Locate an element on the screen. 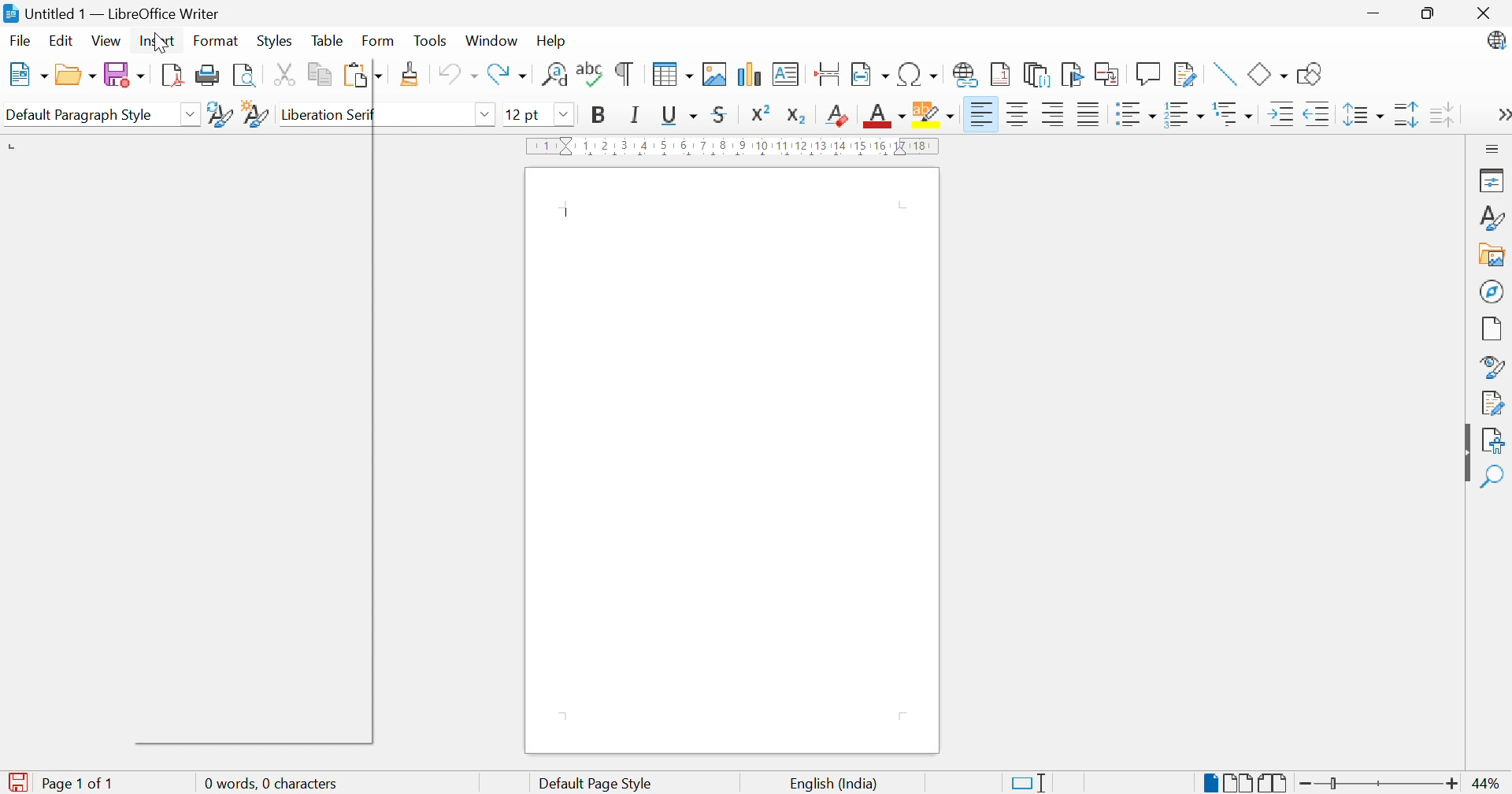 The image size is (1512, 794). Insert comment is located at coordinates (1147, 74).